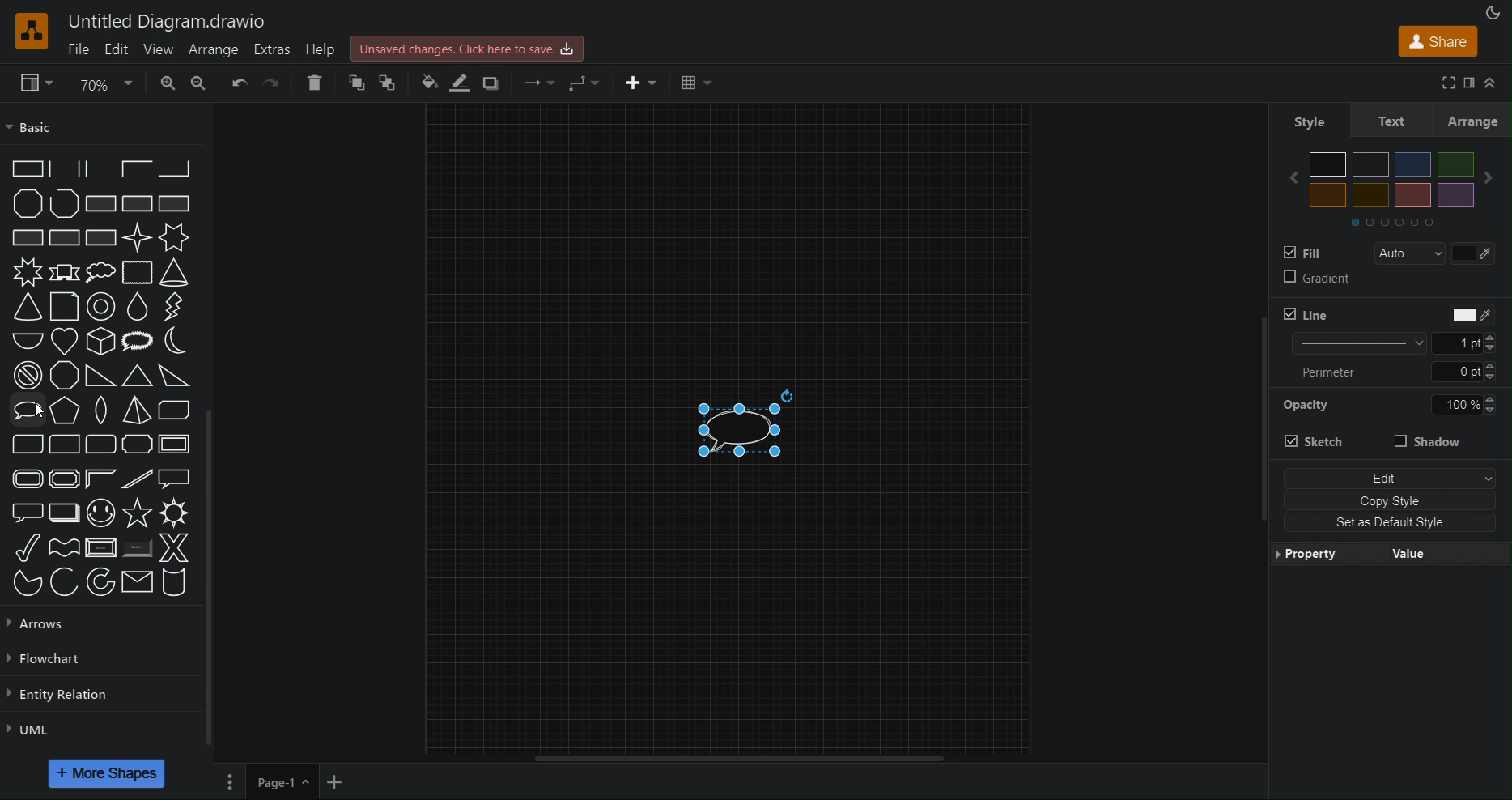 The width and height of the screenshot is (1512, 800). What do you see at coordinates (1389, 188) in the screenshot?
I see `colors` at bounding box center [1389, 188].